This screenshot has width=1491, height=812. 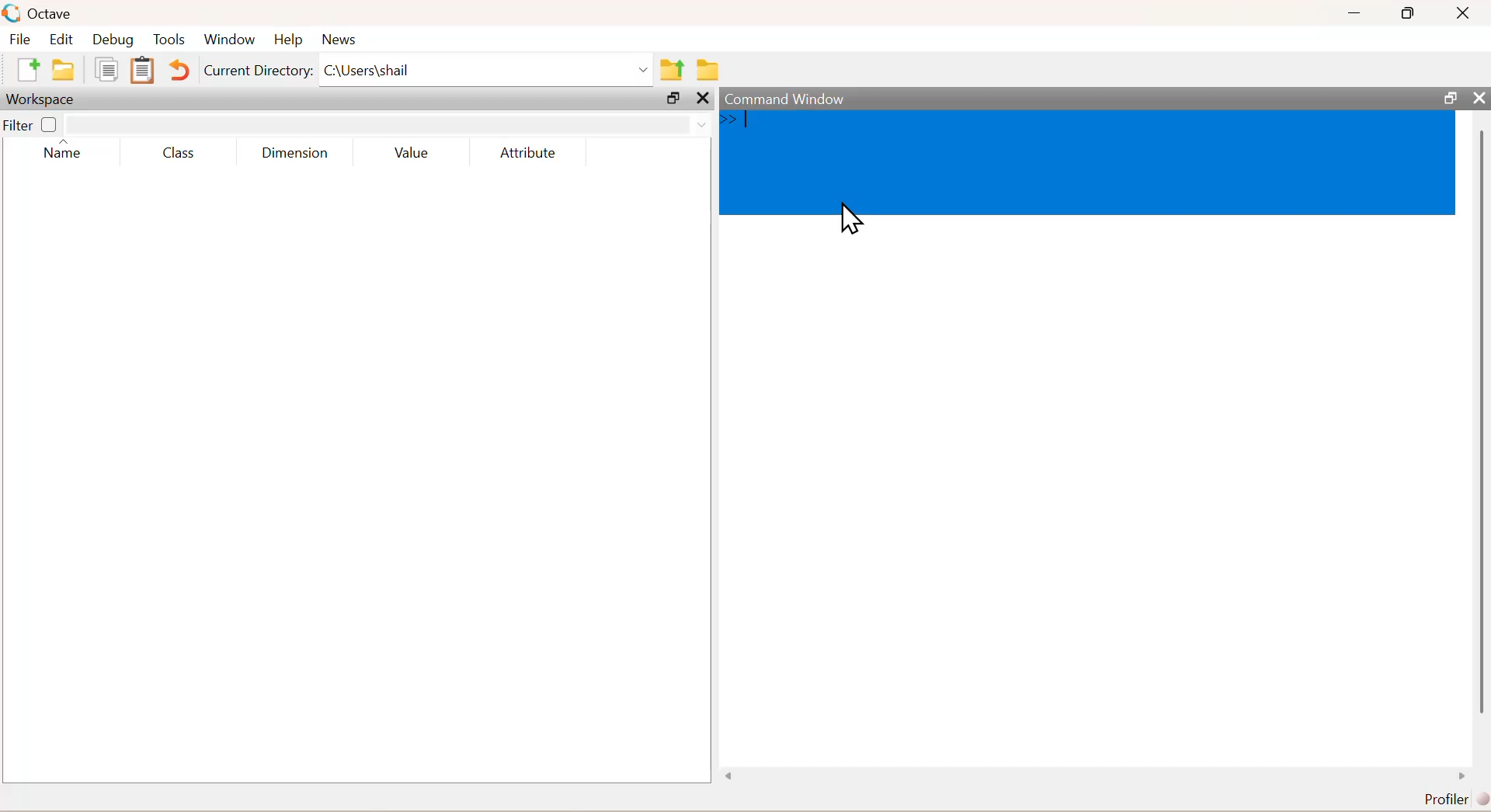 What do you see at coordinates (1457, 800) in the screenshot?
I see `Profiler` at bounding box center [1457, 800].